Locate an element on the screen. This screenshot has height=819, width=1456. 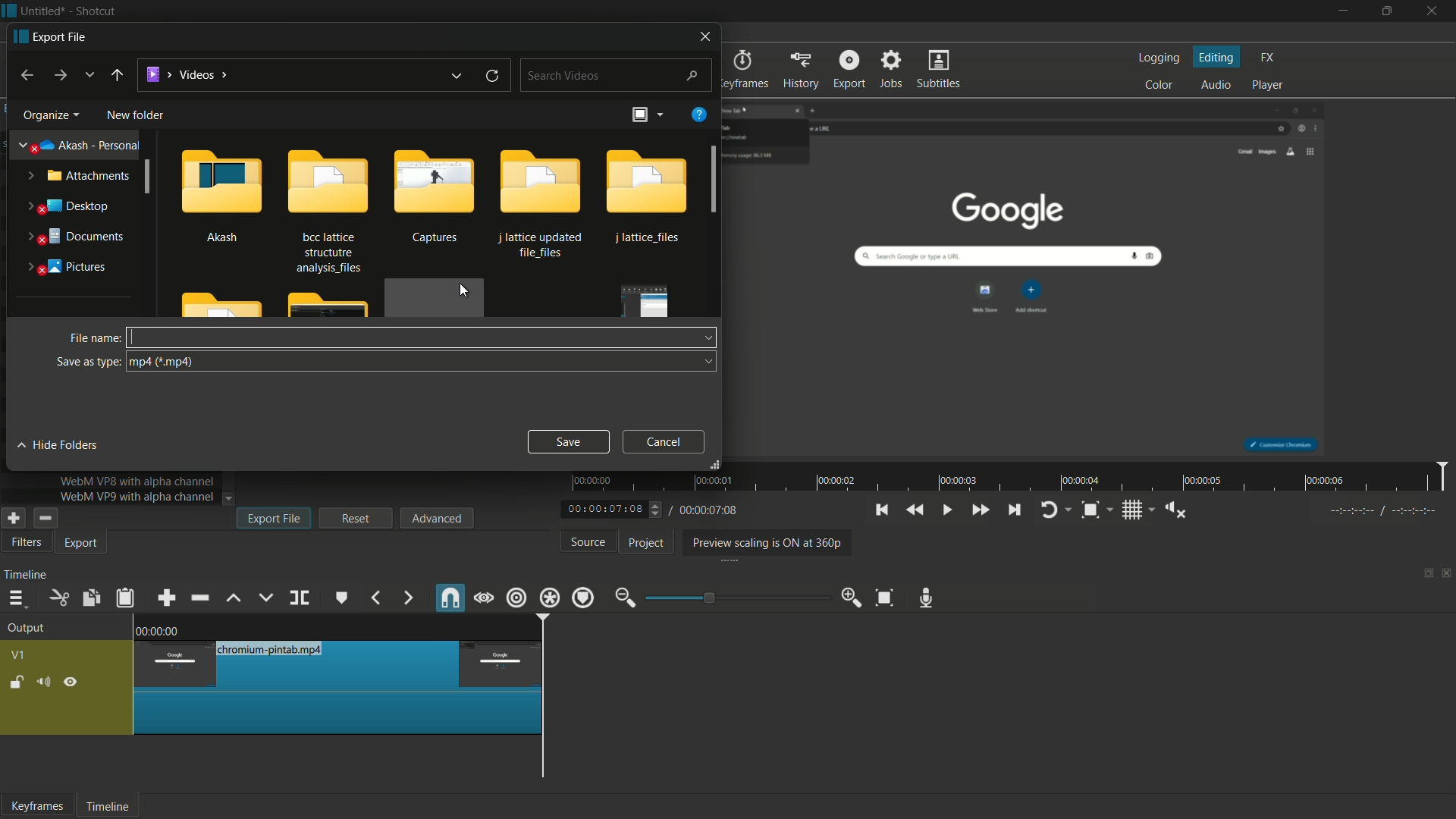
get help is located at coordinates (700, 113).